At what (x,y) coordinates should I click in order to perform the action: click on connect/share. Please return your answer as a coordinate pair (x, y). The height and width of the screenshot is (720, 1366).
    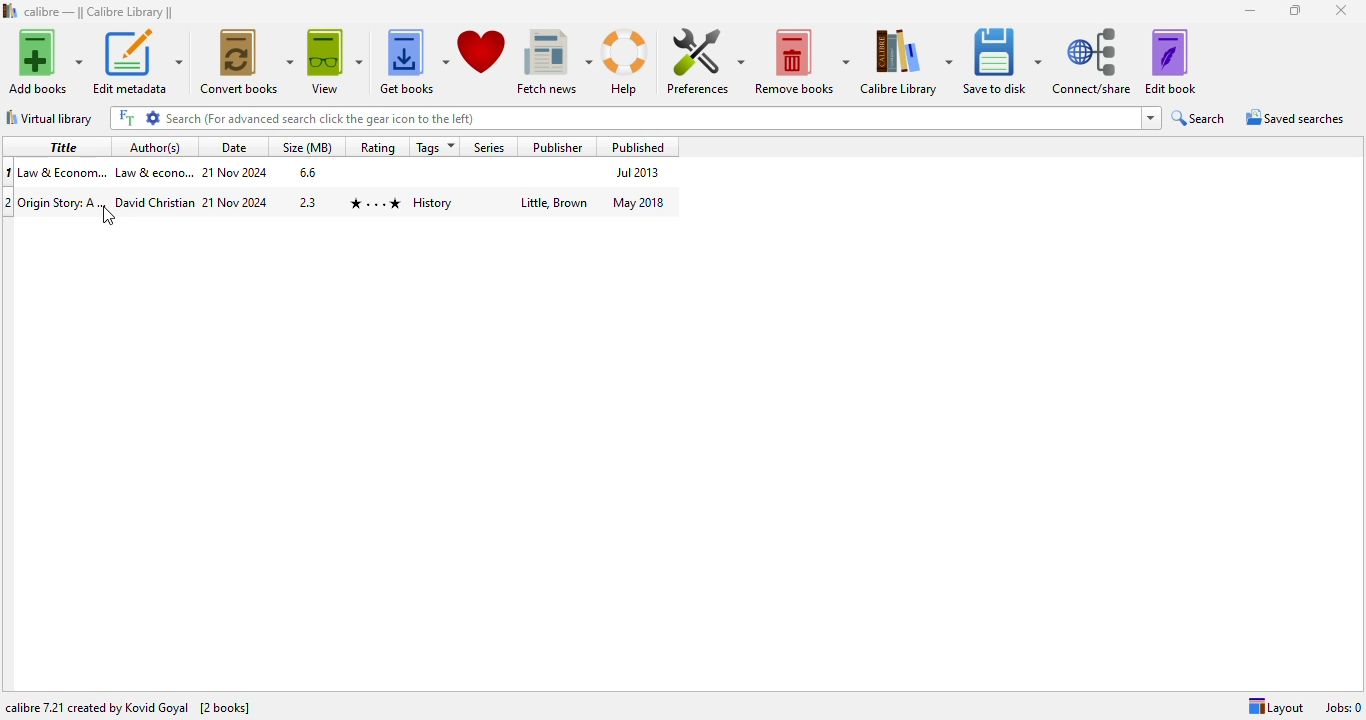
    Looking at the image, I should click on (1092, 62).